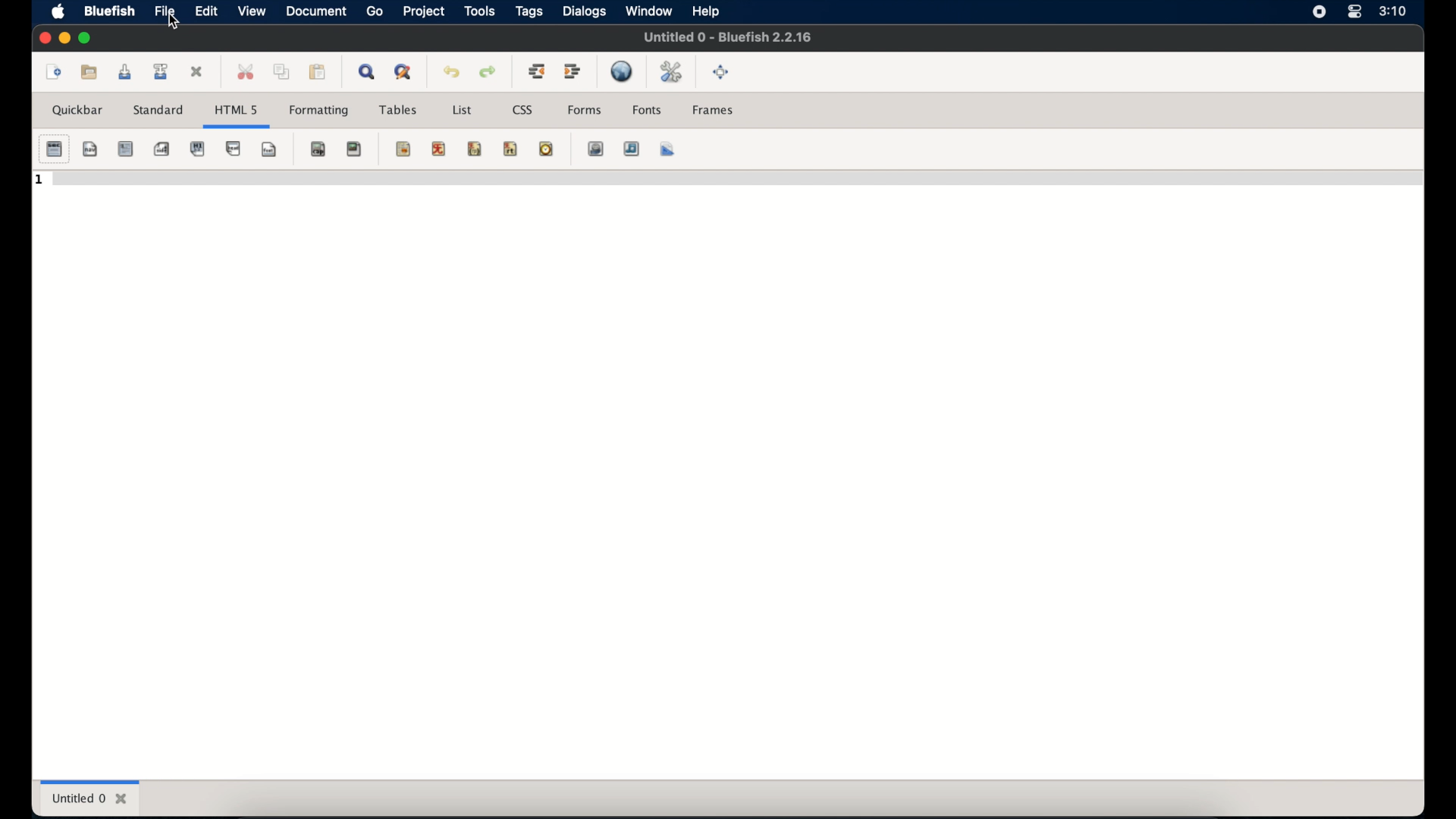 The height and width of the screenshot is (819, 1456). I want to click on unindent, so click(536, 71).